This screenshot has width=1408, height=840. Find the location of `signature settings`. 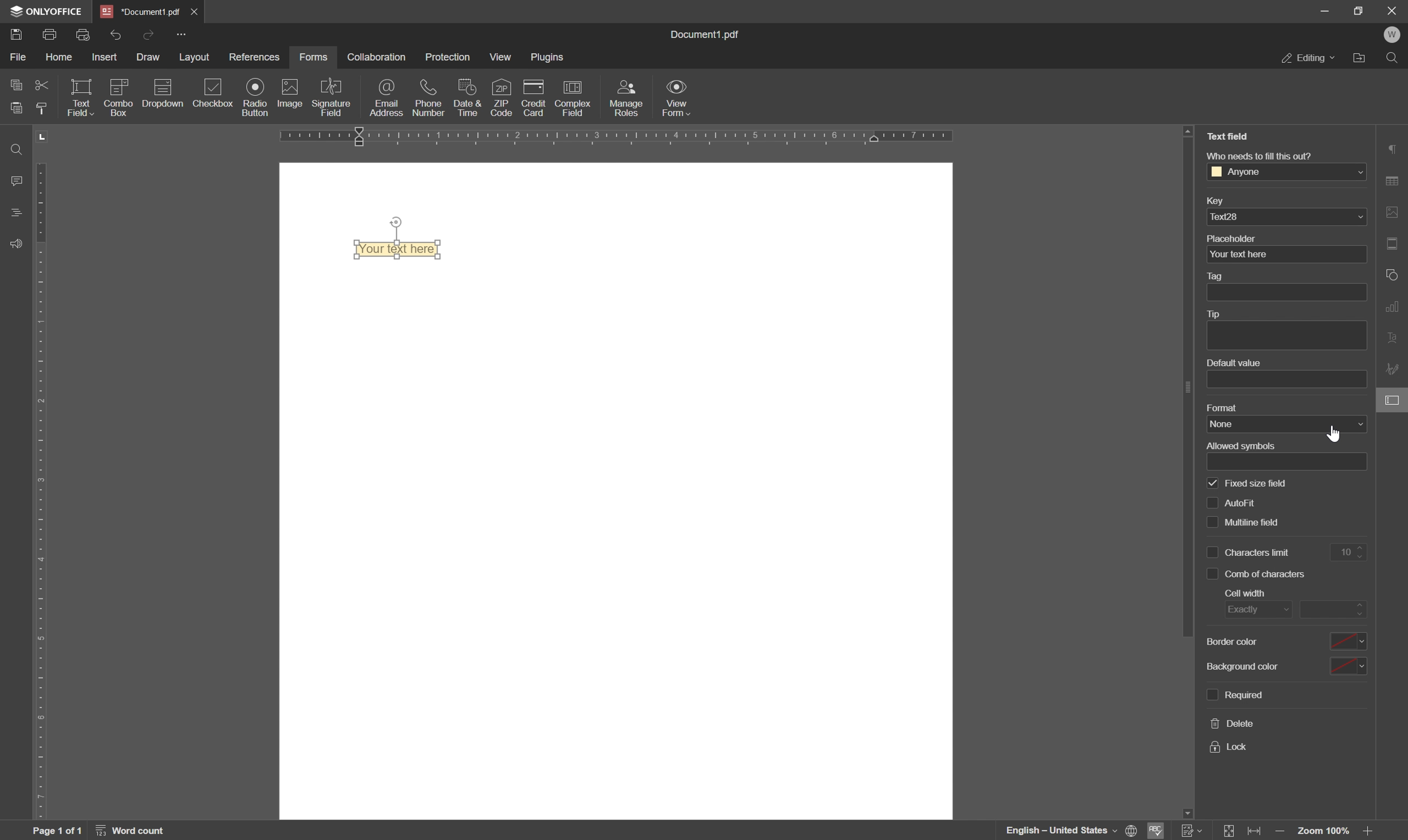

signature settings is located at coordinates (1394, 367).